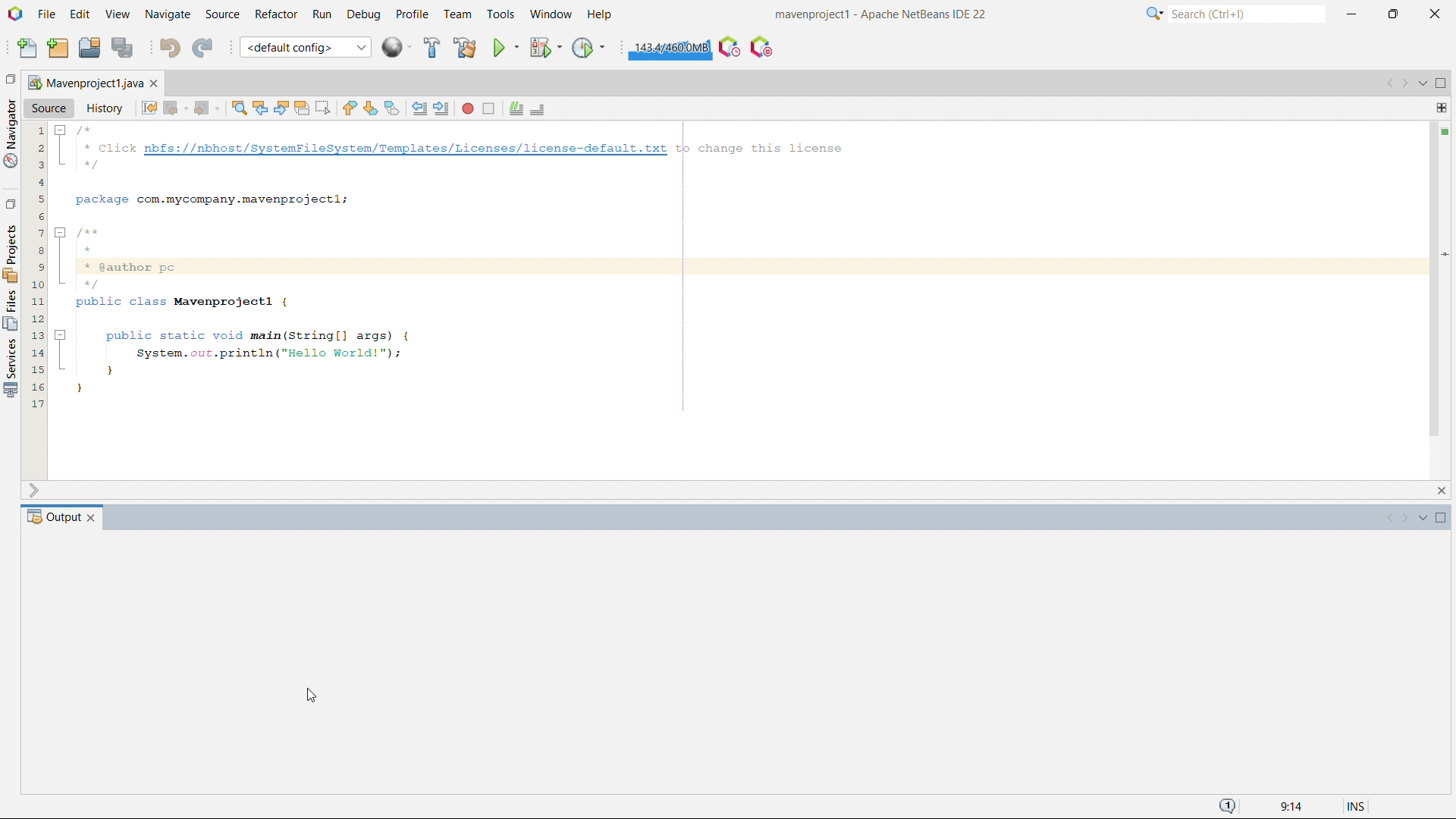 Image resolution: width=1456 pixels, height=819 pixels. Describe the element at coordinates (118, 14) in the screenshot. I see `view` at that location.